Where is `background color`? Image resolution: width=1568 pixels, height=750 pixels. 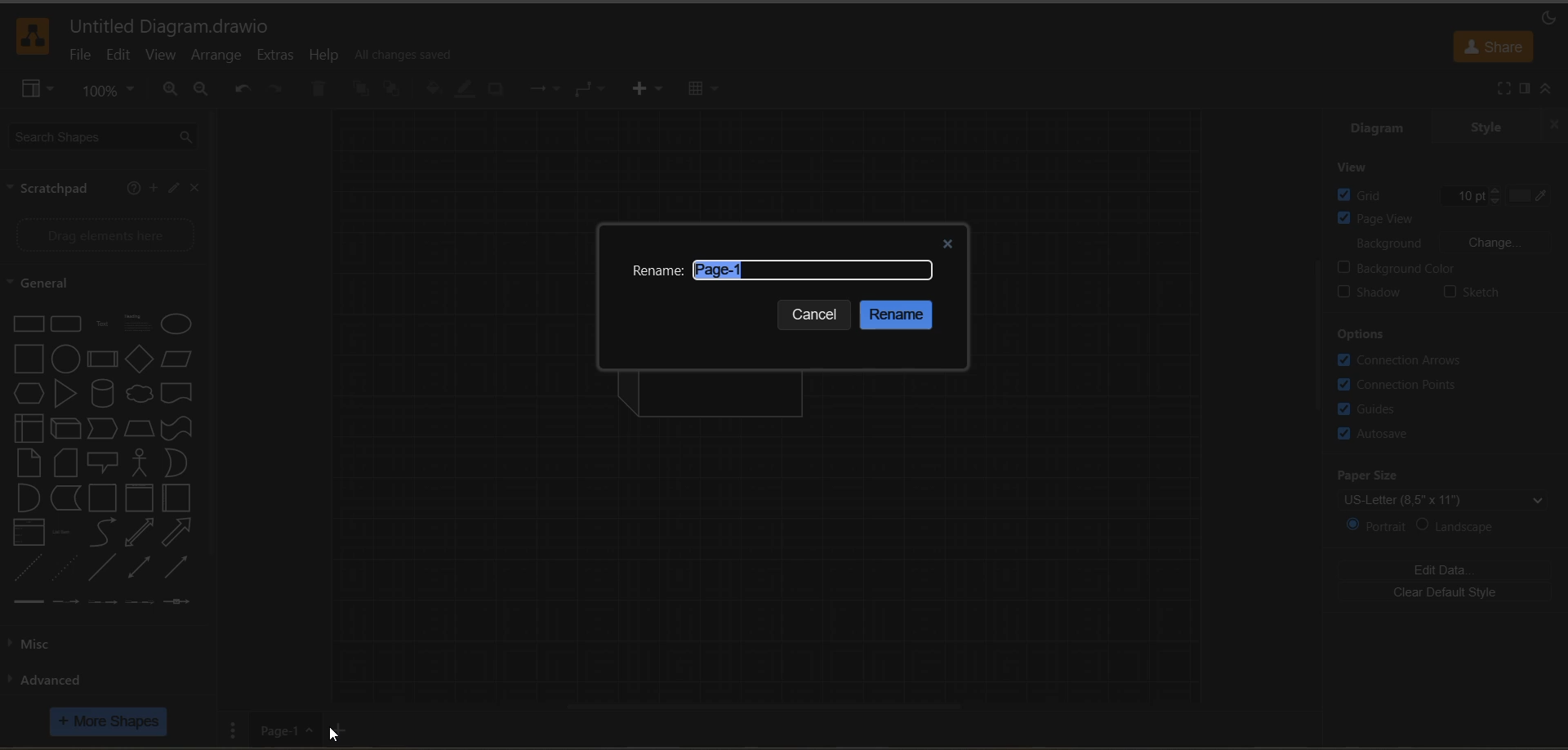 background color is located at coordinates (1452, 265).